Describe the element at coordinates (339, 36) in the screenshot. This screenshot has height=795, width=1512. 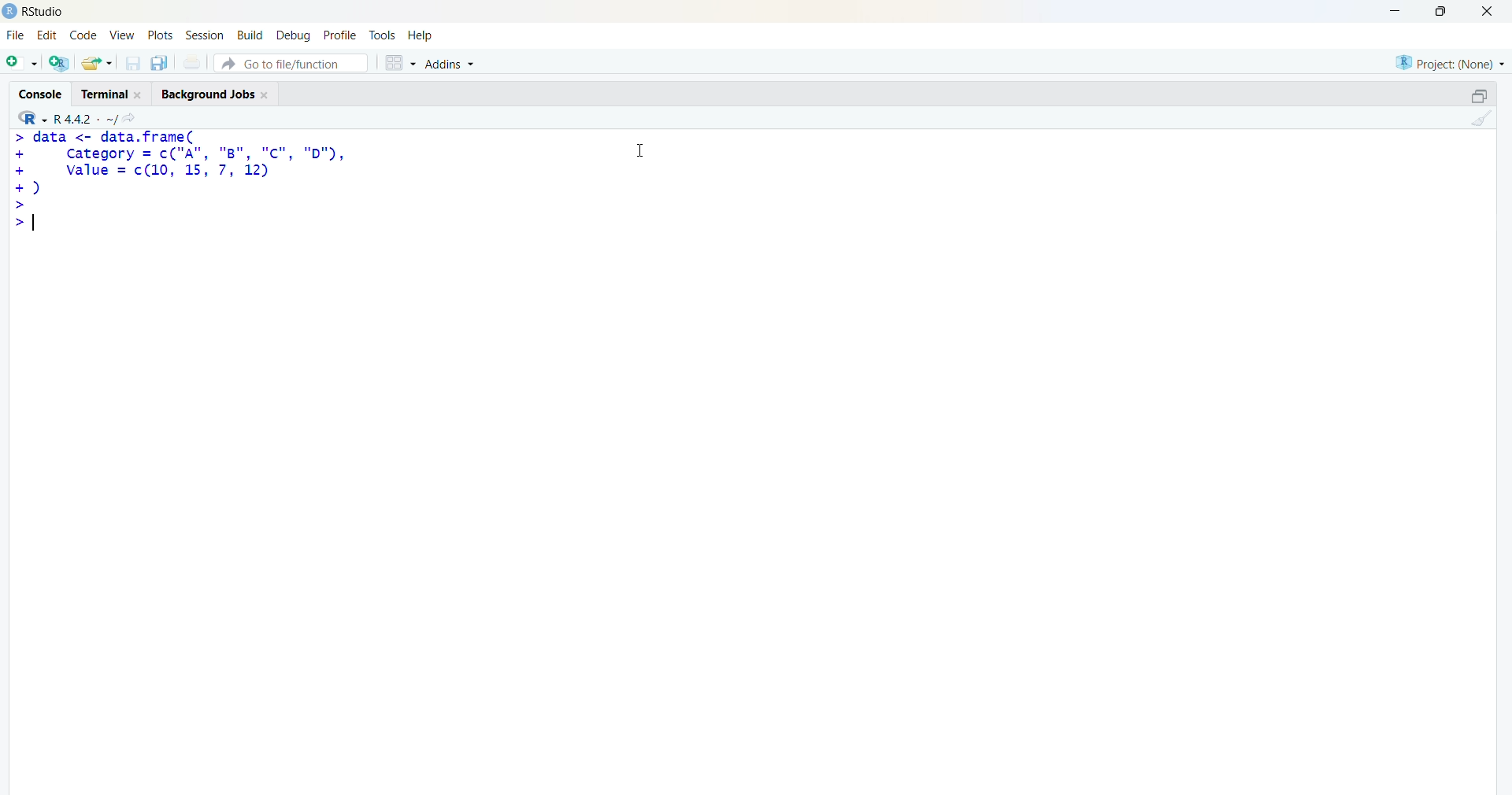
I see `profile` at that location.